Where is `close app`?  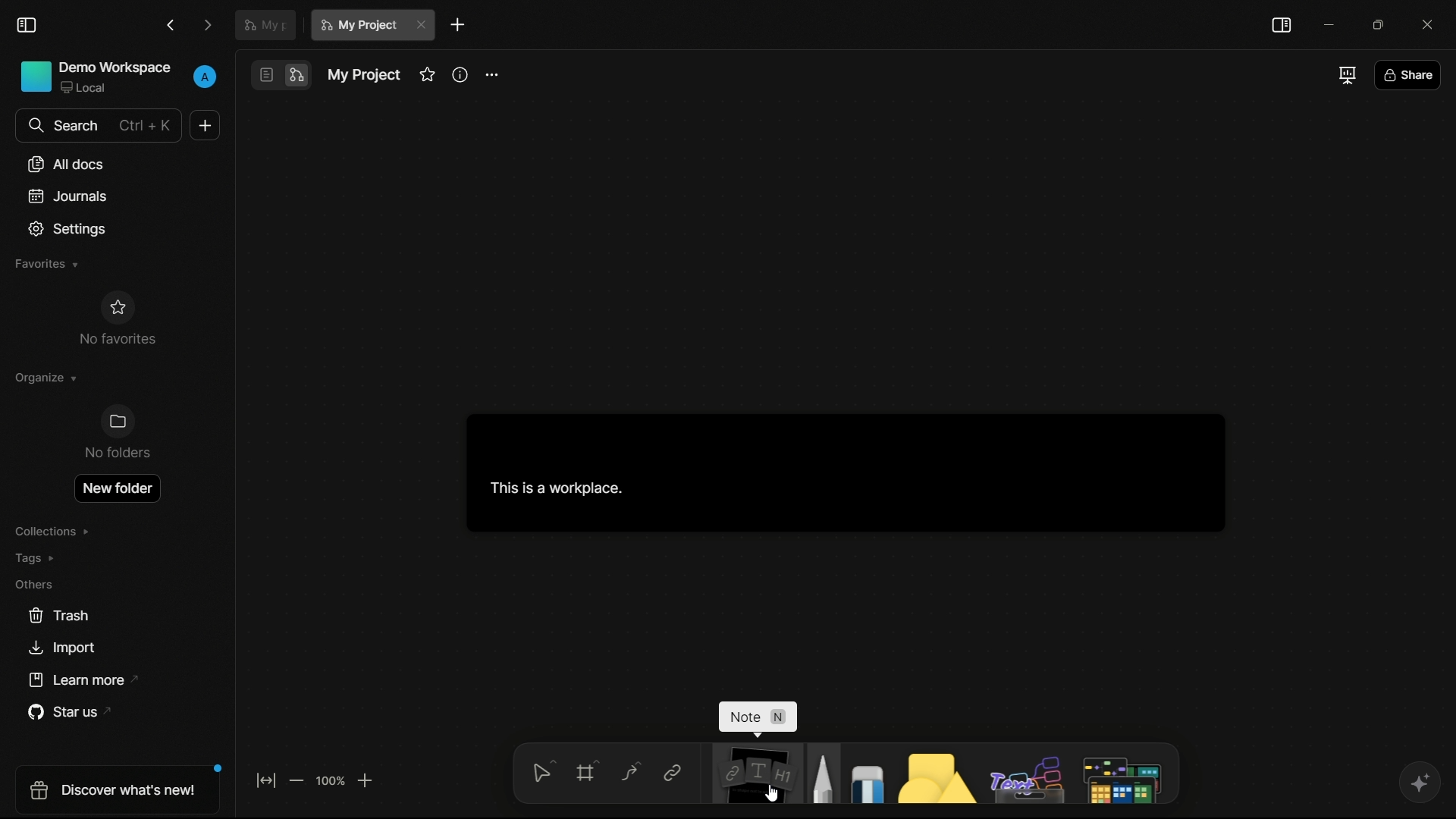
close app is located at coordinates (1432, 23).